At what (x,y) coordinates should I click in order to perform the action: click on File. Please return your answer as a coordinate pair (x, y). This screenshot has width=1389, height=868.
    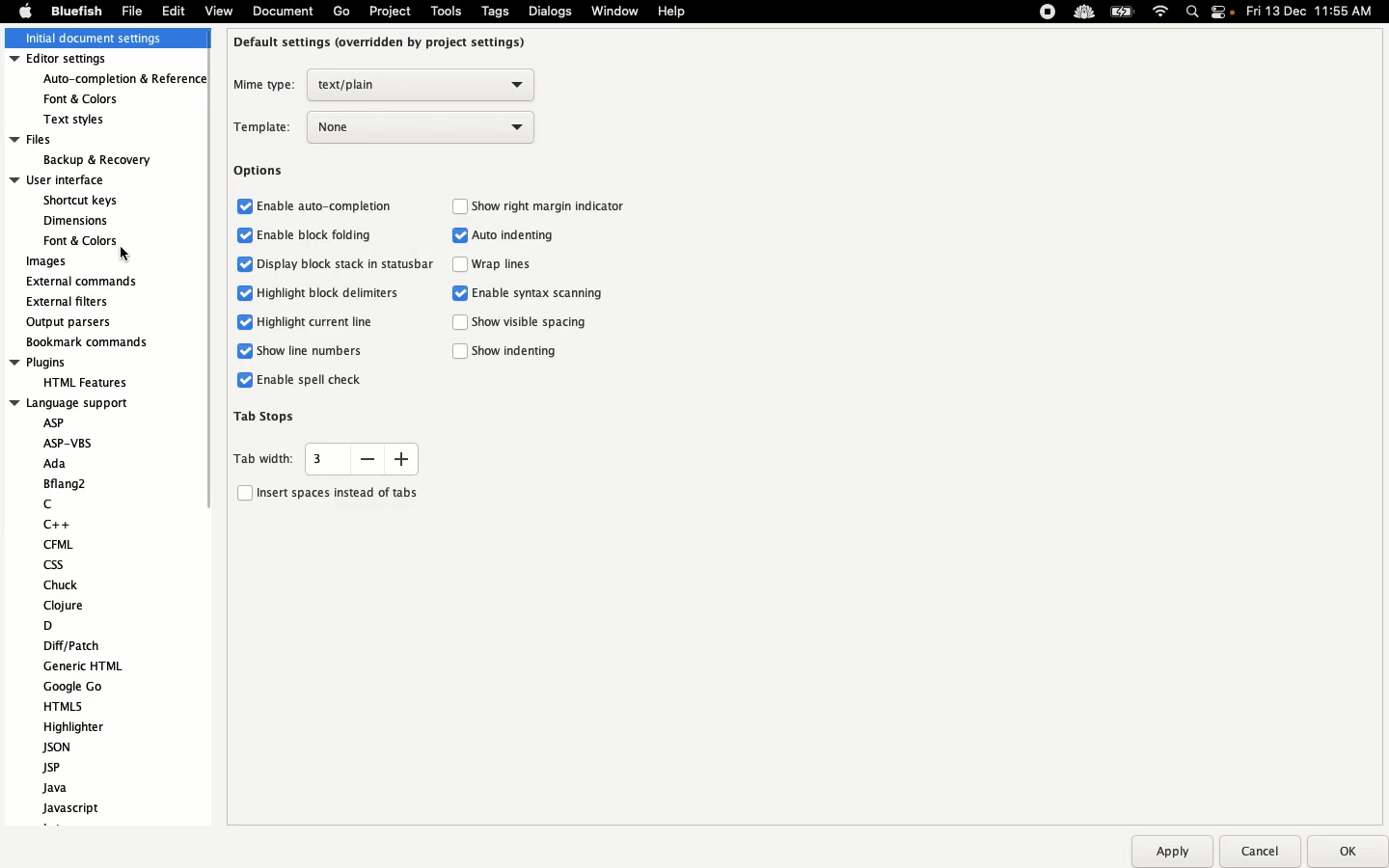
    Looking at the image, I should click on (132, 11).